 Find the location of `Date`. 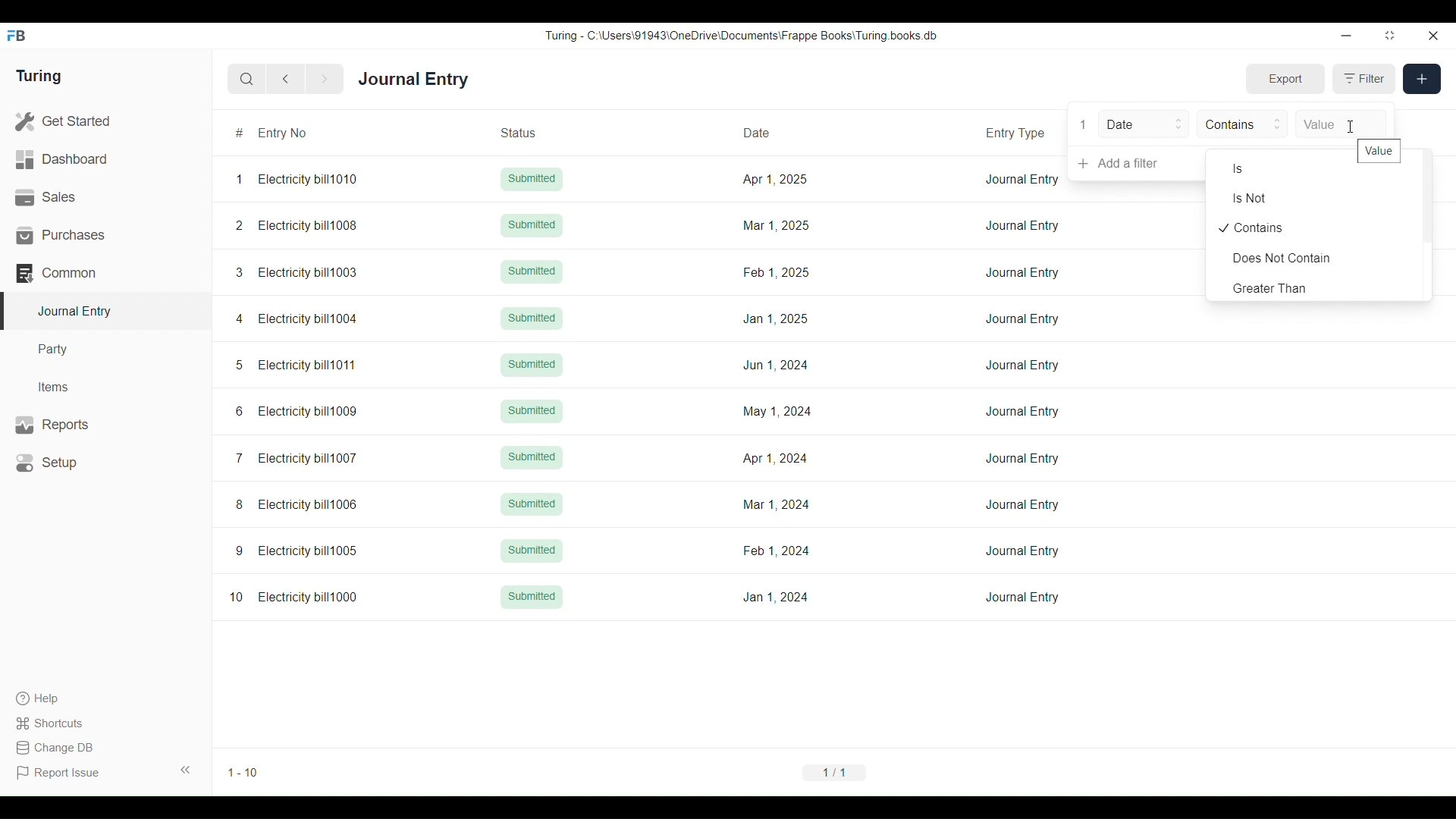

Date is located at coordinates (1144, 124).